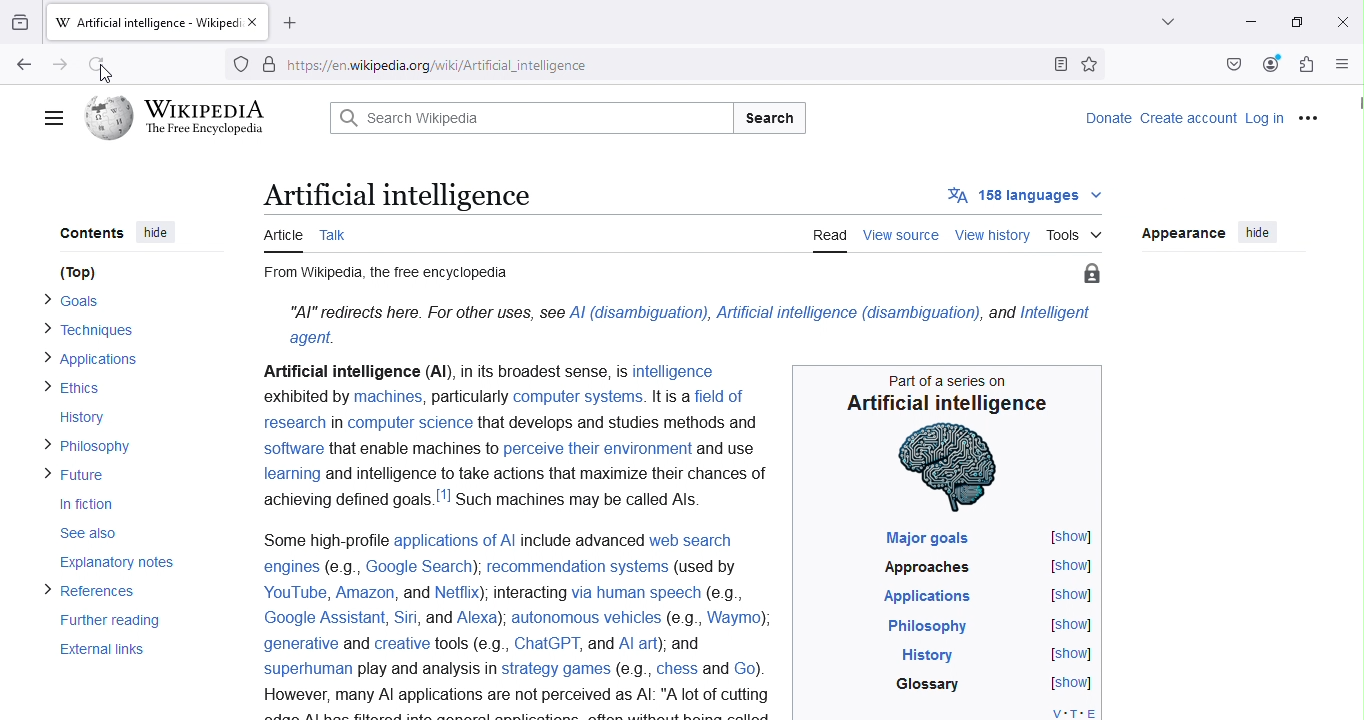  Describe the element at coordinates (325, 619) in the screenshot. I see `Google Assistant` at that location.